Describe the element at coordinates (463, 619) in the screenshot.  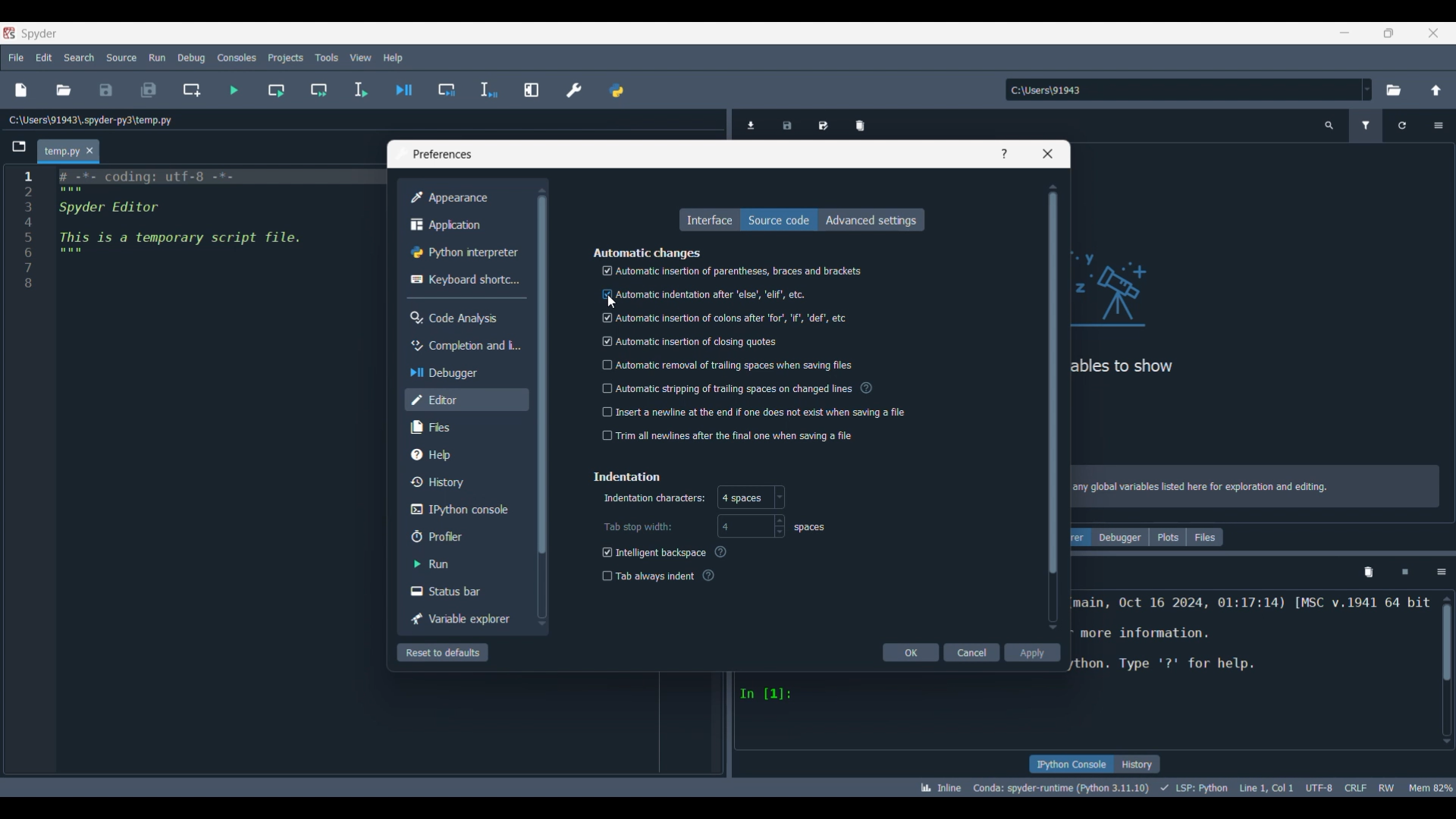
I see `Variable explorer` at that location.